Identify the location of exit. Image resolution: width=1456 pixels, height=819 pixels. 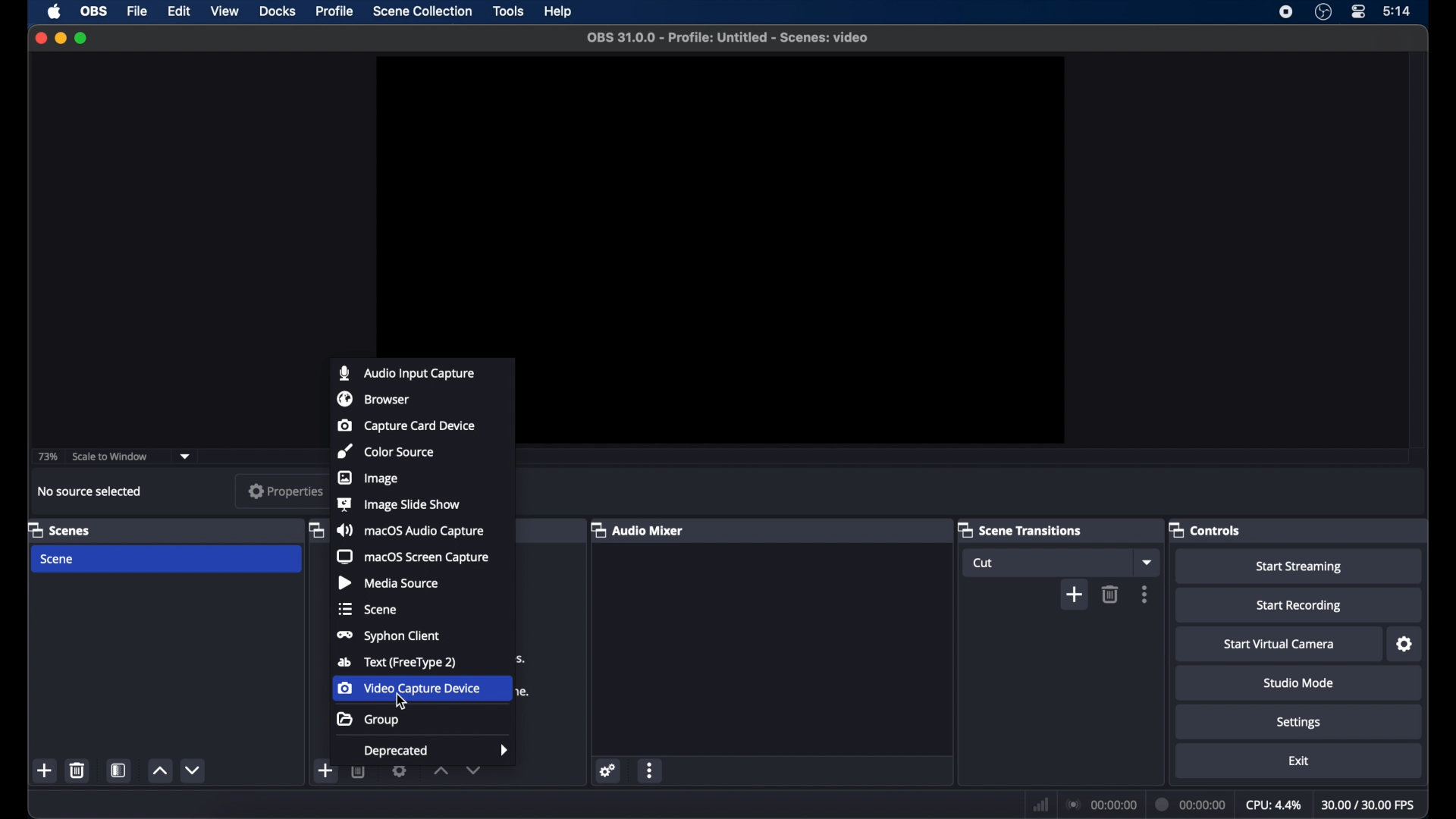
(1298, 761).